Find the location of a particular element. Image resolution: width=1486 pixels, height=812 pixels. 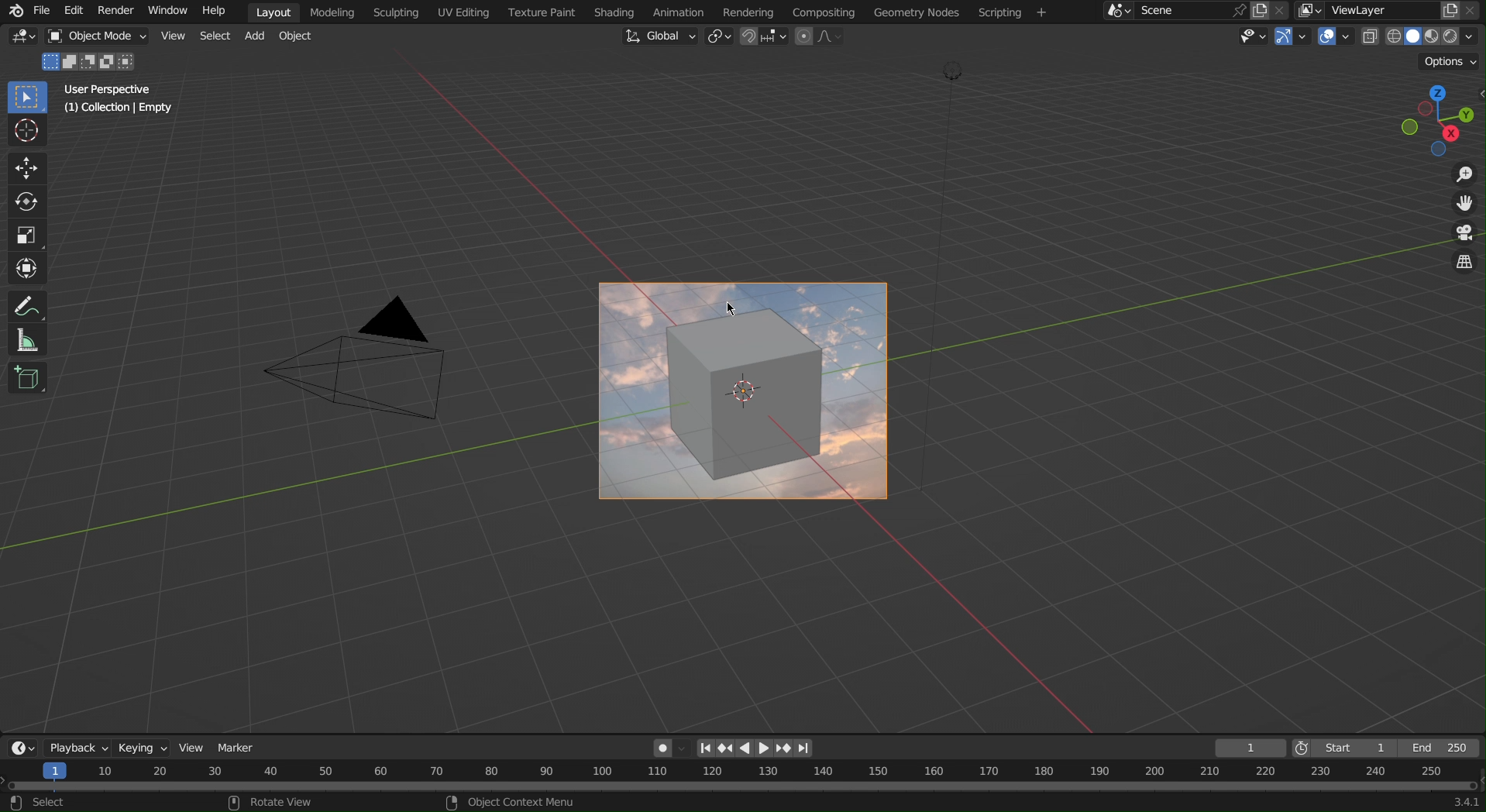

Scale is located at coordinates (25, 234).